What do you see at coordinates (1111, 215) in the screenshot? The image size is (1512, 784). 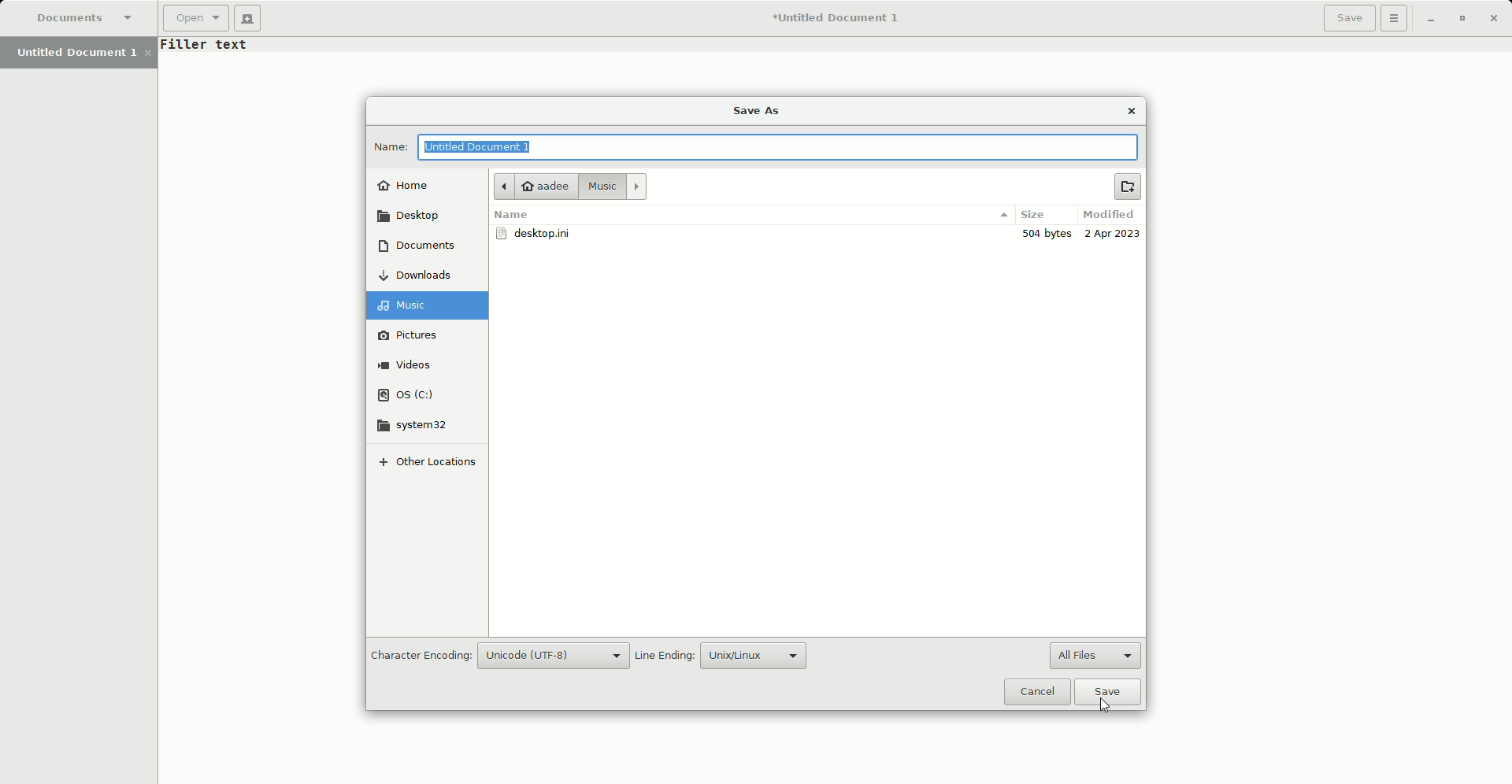 I see `Modified` at bounding box center [1111, 215].